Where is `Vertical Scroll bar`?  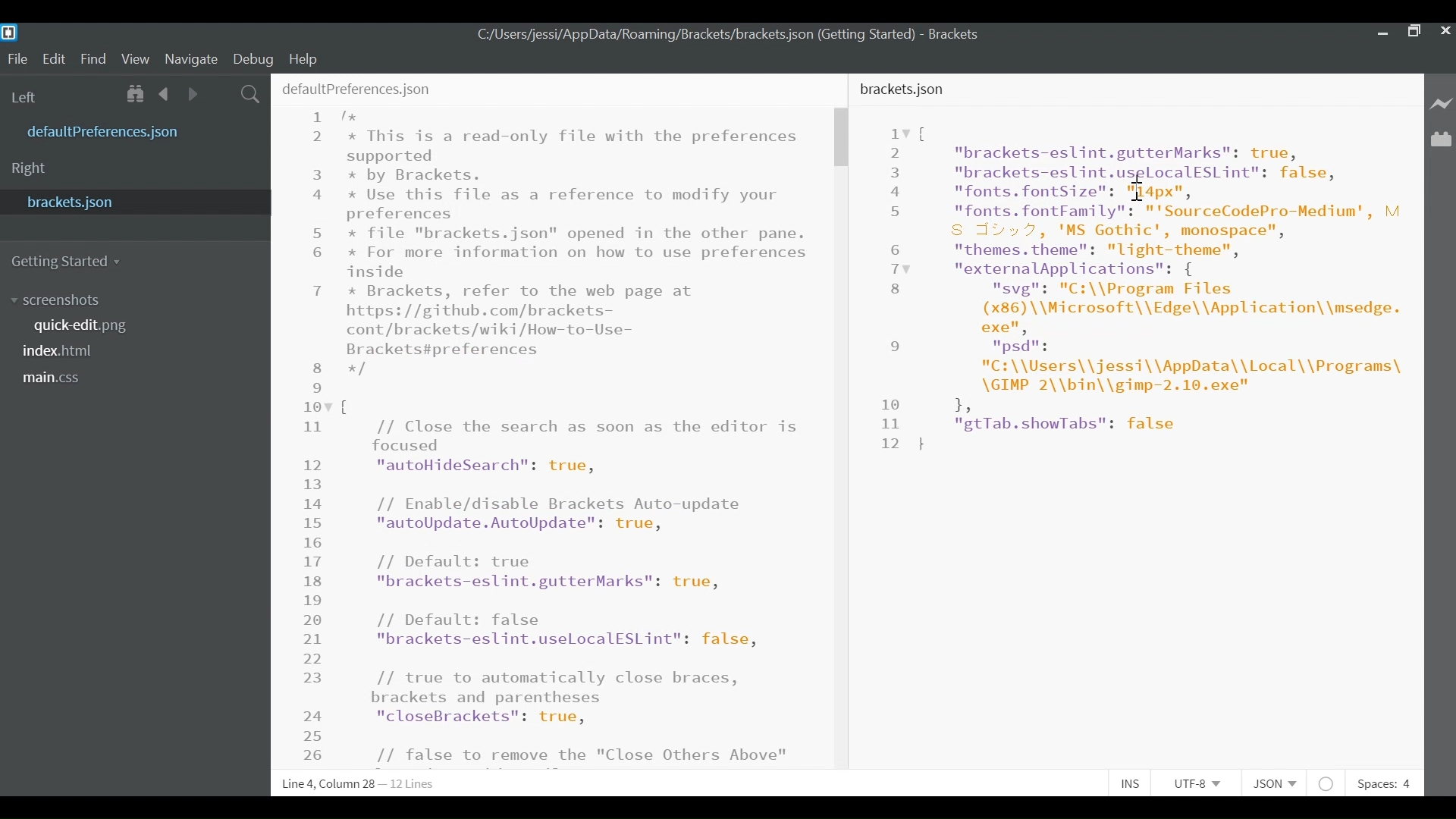 Vertical Scroll bar is located at coordinates (840, 137).